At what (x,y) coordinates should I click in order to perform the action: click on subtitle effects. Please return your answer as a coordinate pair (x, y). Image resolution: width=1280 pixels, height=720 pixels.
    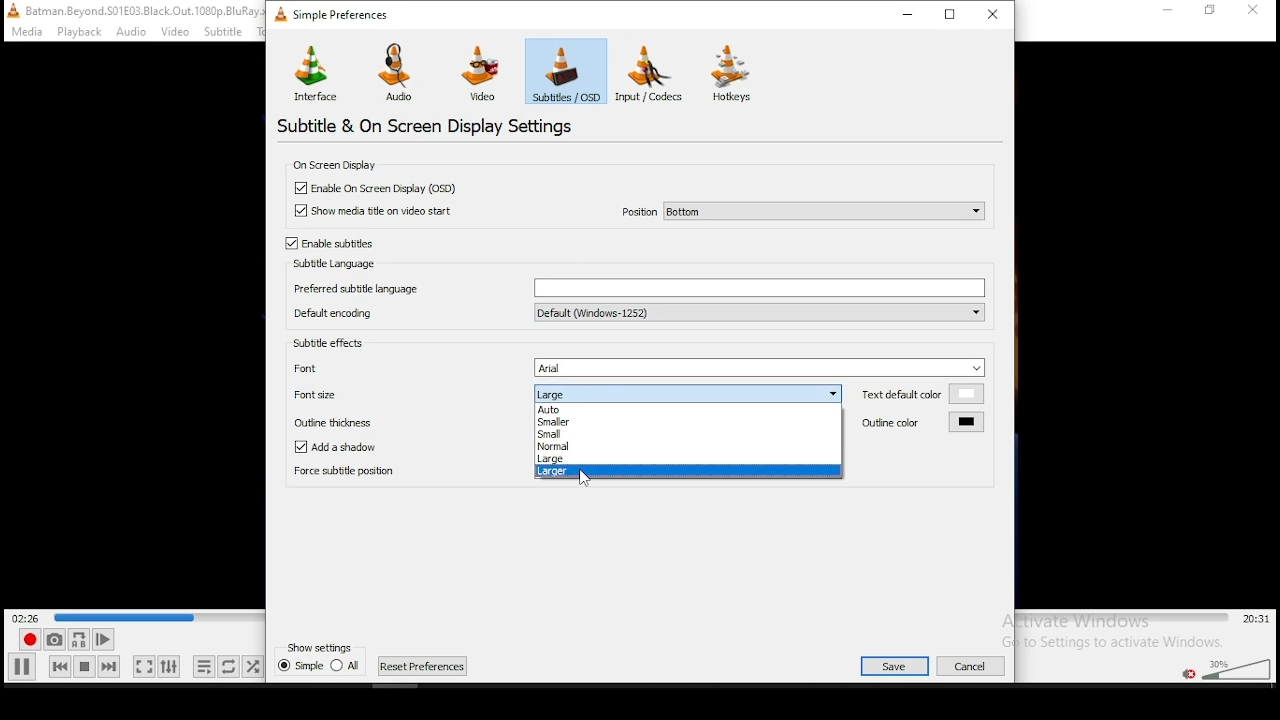
    Looking at the image, I should click on (328, 342).